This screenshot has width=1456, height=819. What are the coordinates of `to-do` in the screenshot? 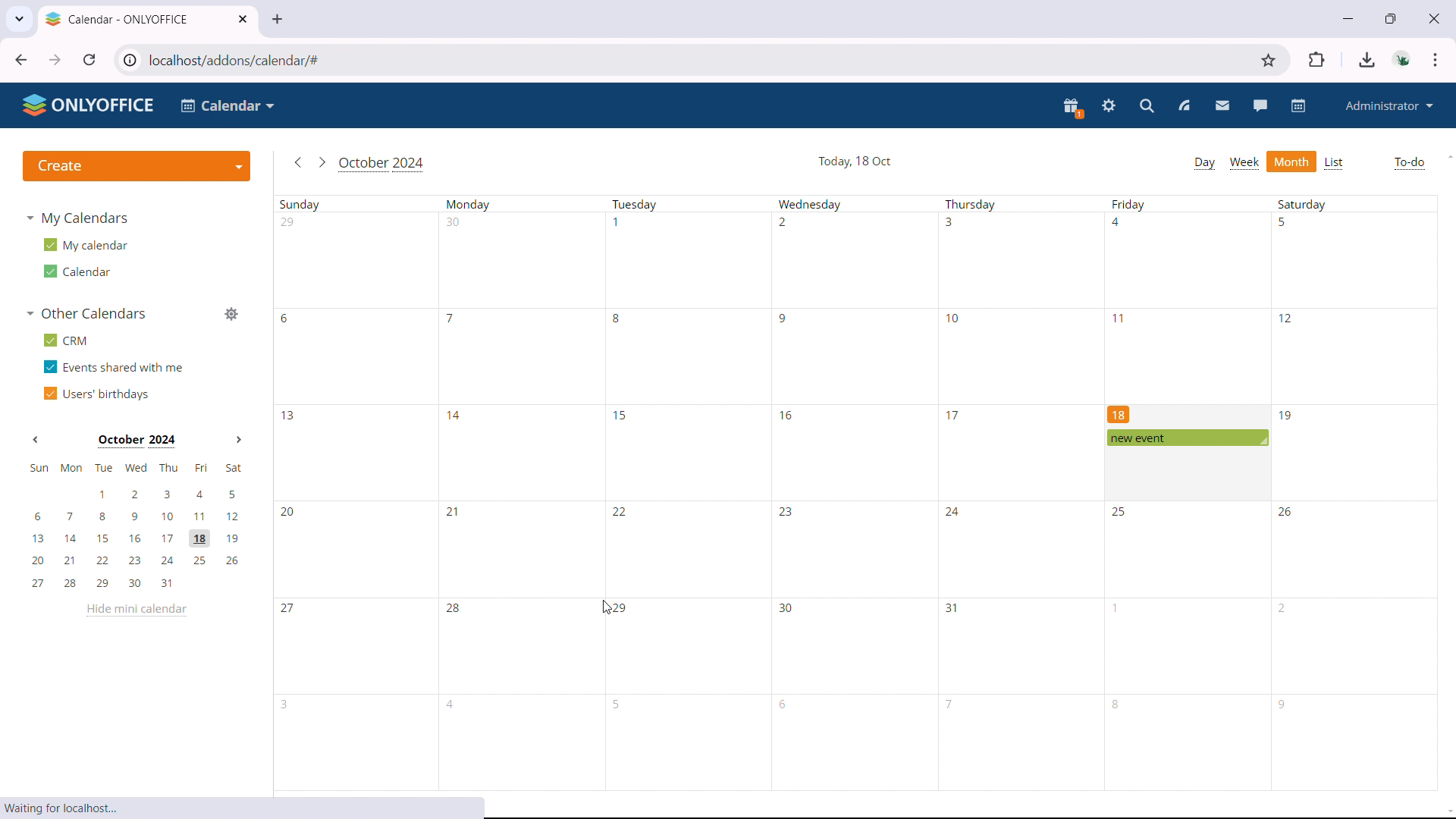 It's located at (1409, 163).